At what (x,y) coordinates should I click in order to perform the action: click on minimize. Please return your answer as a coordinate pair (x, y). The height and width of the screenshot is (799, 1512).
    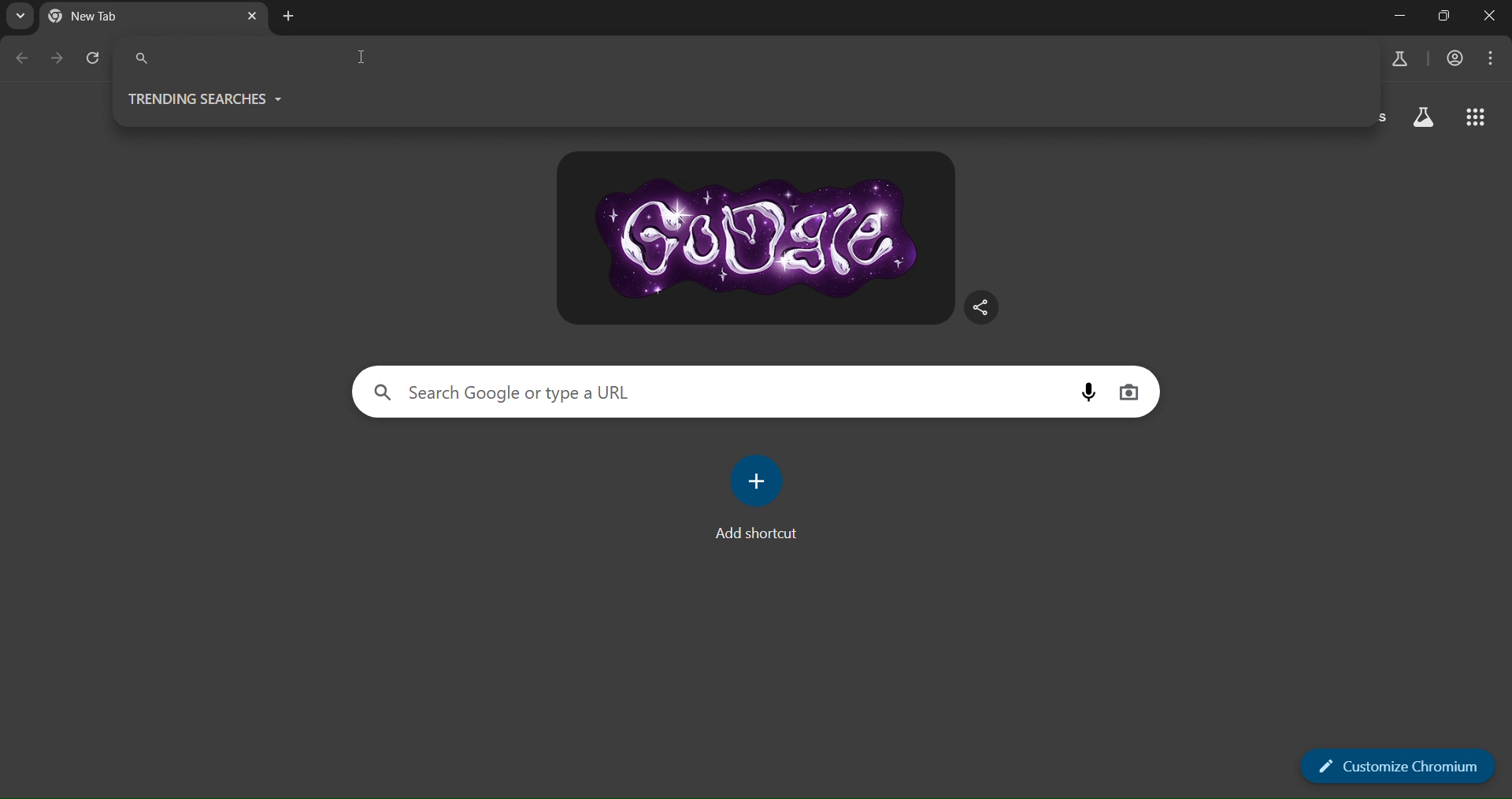
    Looking at the image, I should click on (1396, 20).